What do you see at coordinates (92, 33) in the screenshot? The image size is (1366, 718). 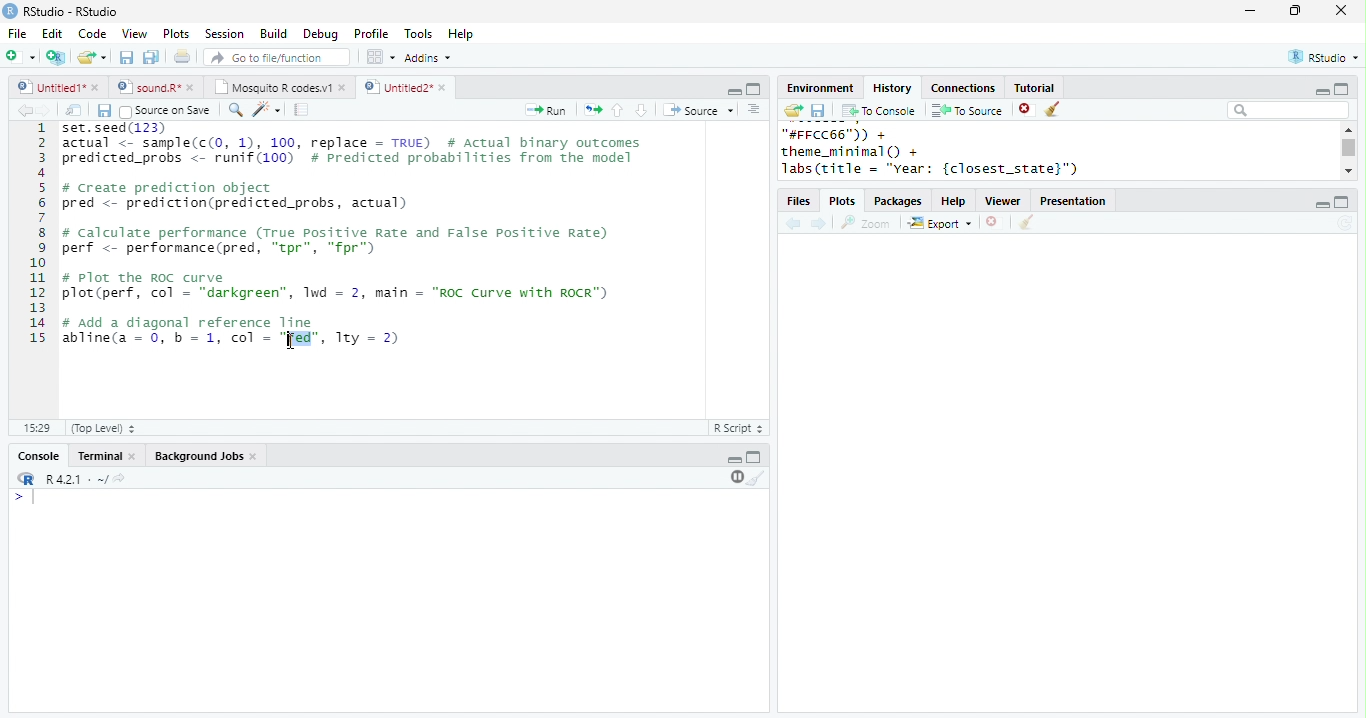 I see `Code` at bounding box center [92, 33].